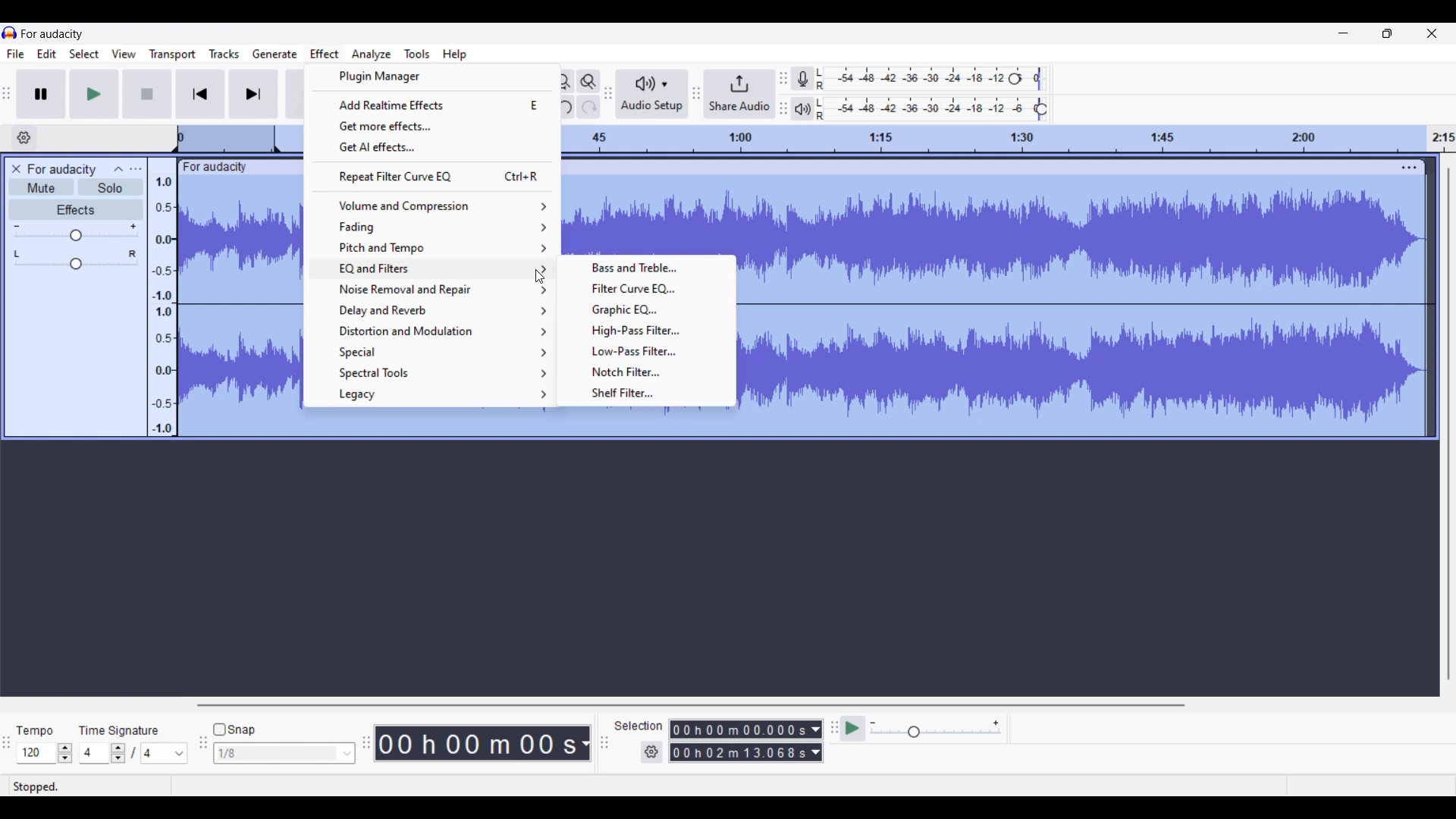 The height and width of the screenshot is (819, 1456). Describe the element at coordinates (1009, 139) in the screenshot. I see `Scale to track length of audio` at that location.